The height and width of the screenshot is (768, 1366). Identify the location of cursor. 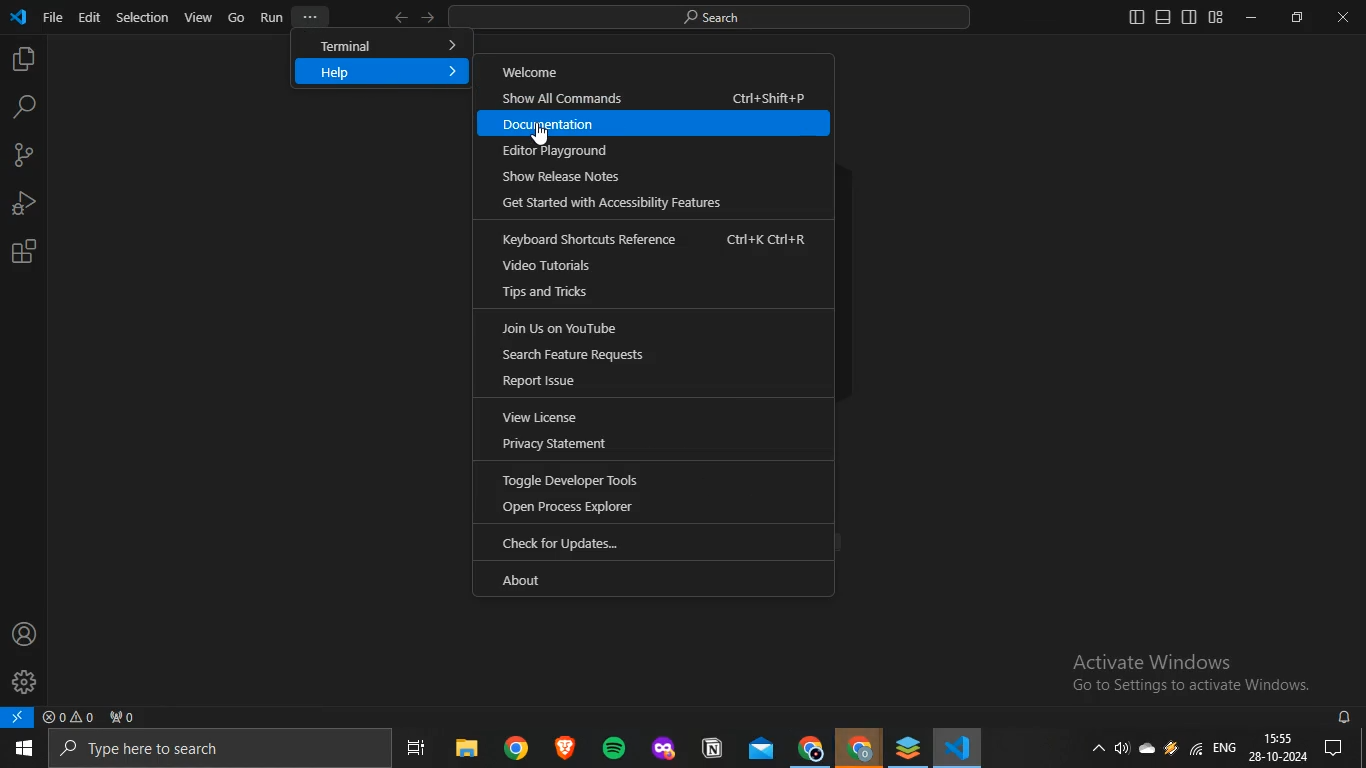
(546, 137).